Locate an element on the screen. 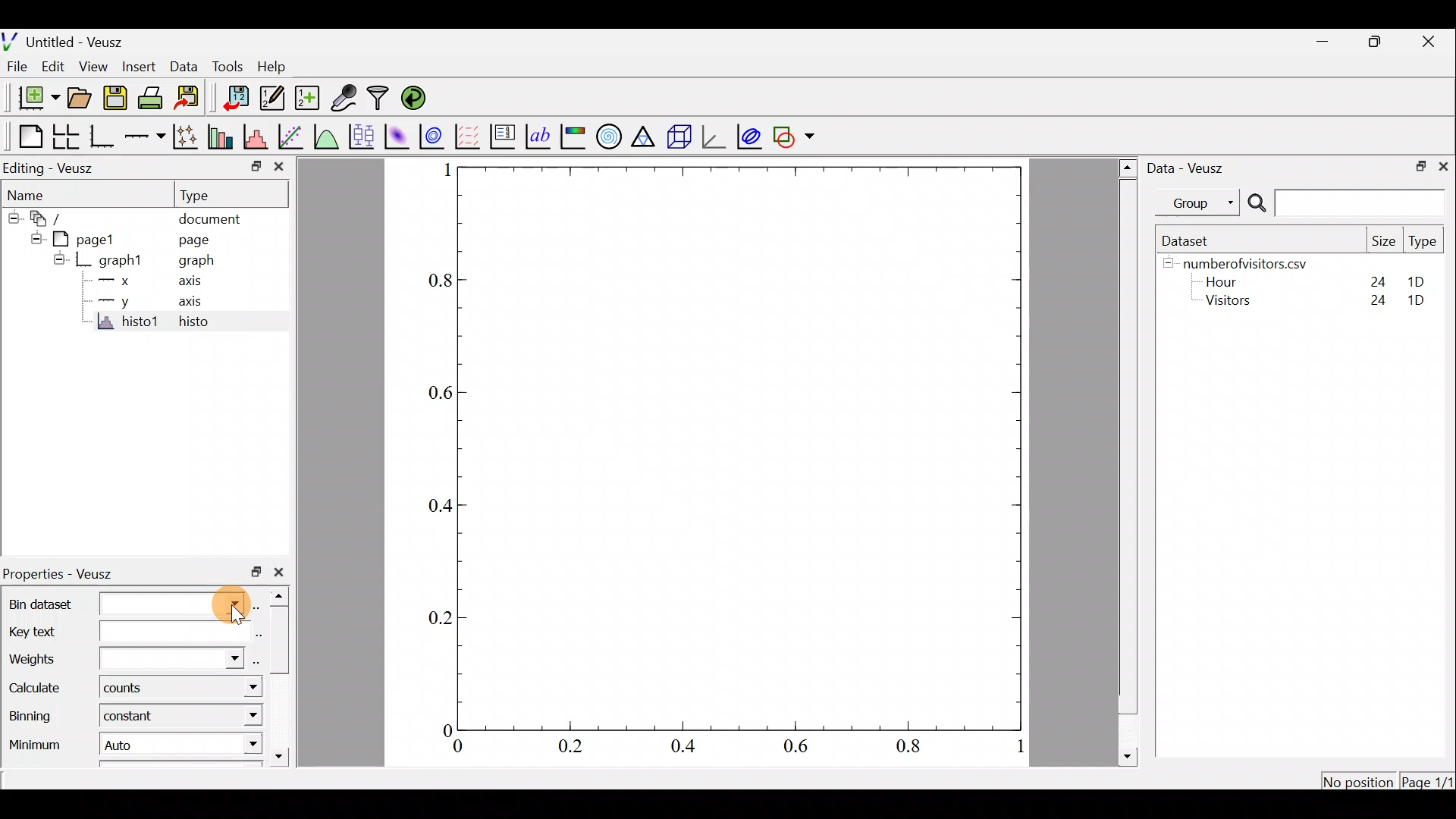 The height and width of the screenshot is (819, 1456). Calculate is located at coordinates (36, 689).